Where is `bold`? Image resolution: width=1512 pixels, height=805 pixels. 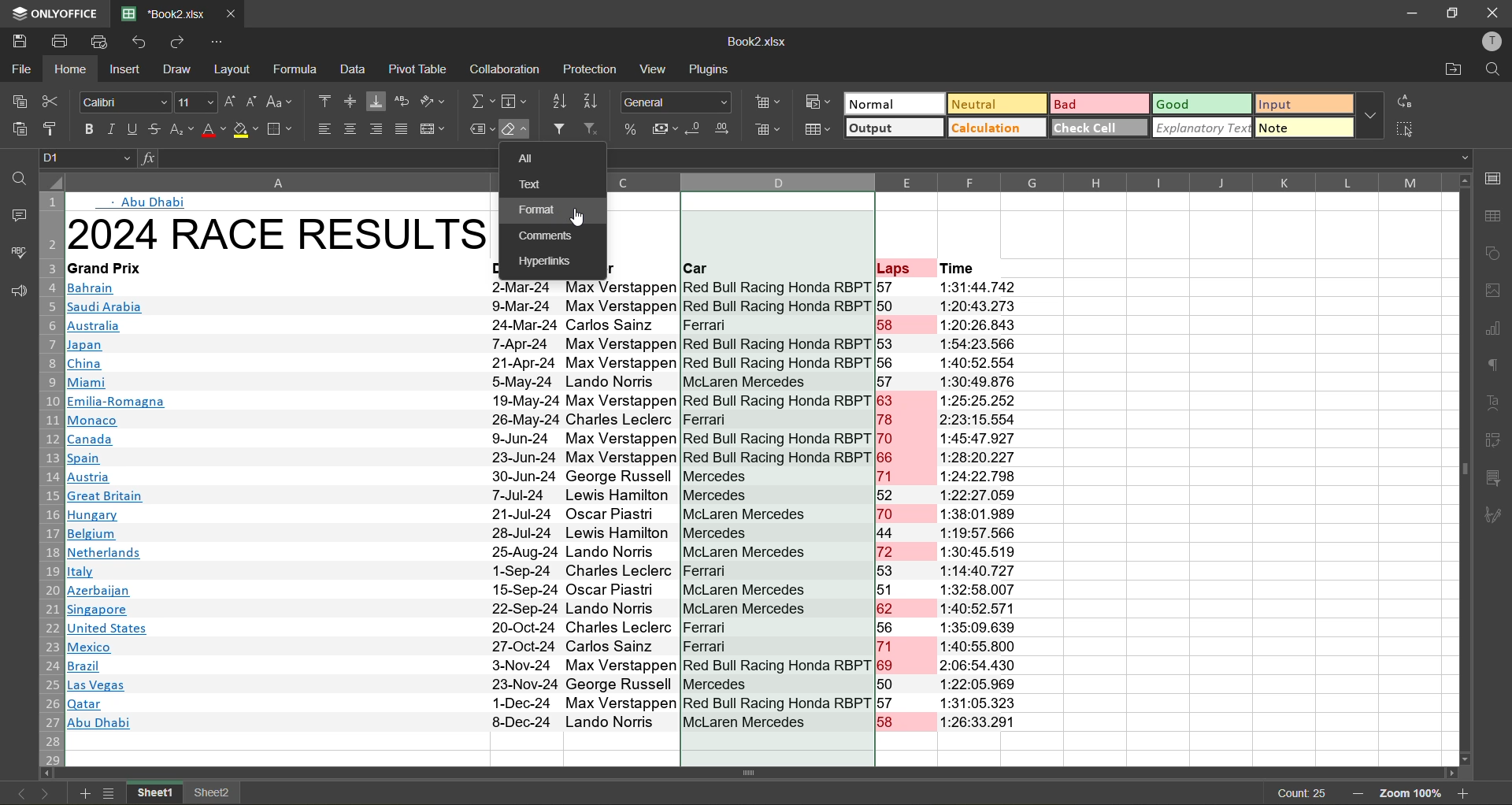
bold is located at coordinates (85, 128).